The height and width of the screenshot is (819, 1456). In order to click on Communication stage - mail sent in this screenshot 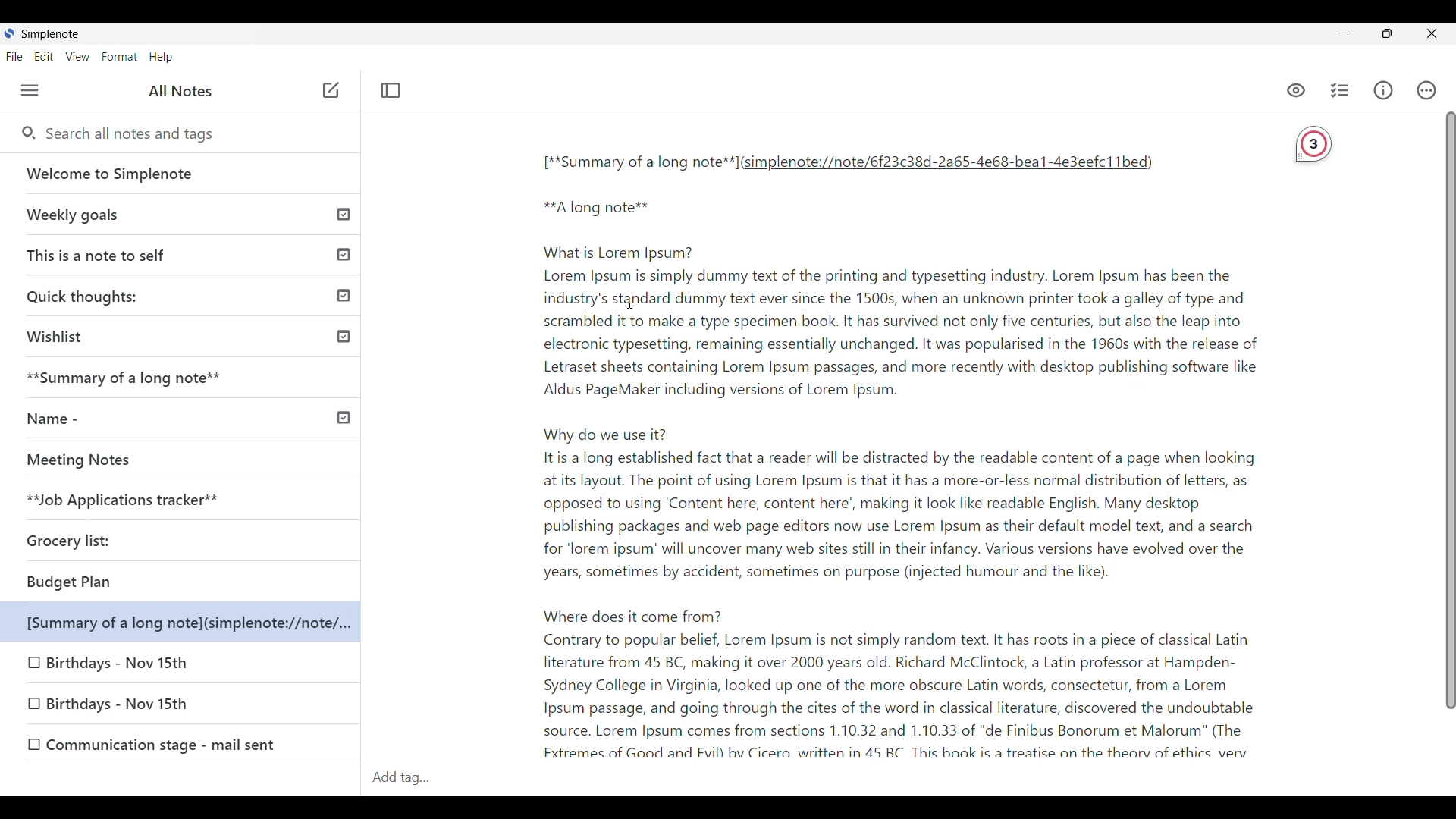, I will do `click(189, 743)`.